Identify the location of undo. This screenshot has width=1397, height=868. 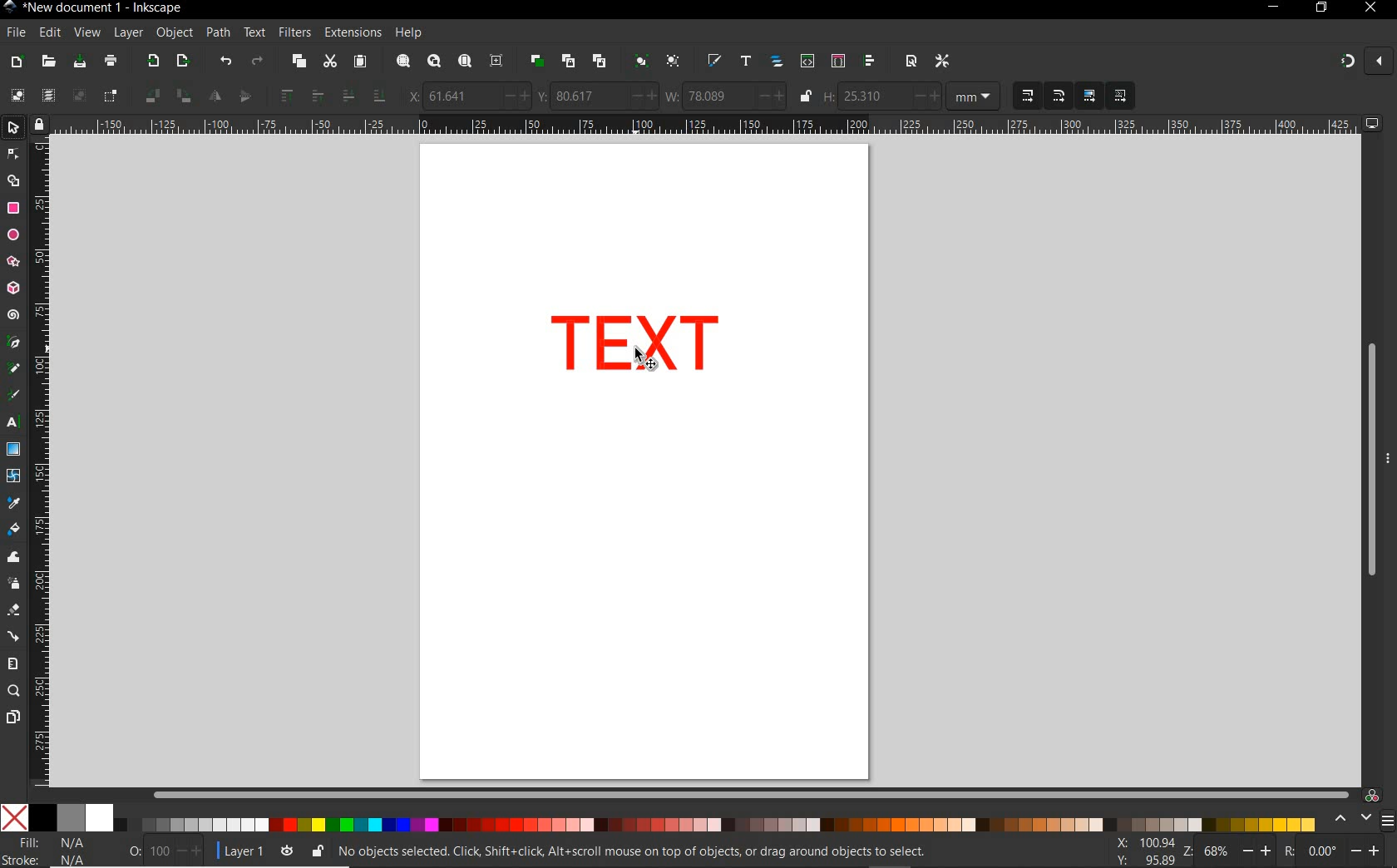
(225, 62).